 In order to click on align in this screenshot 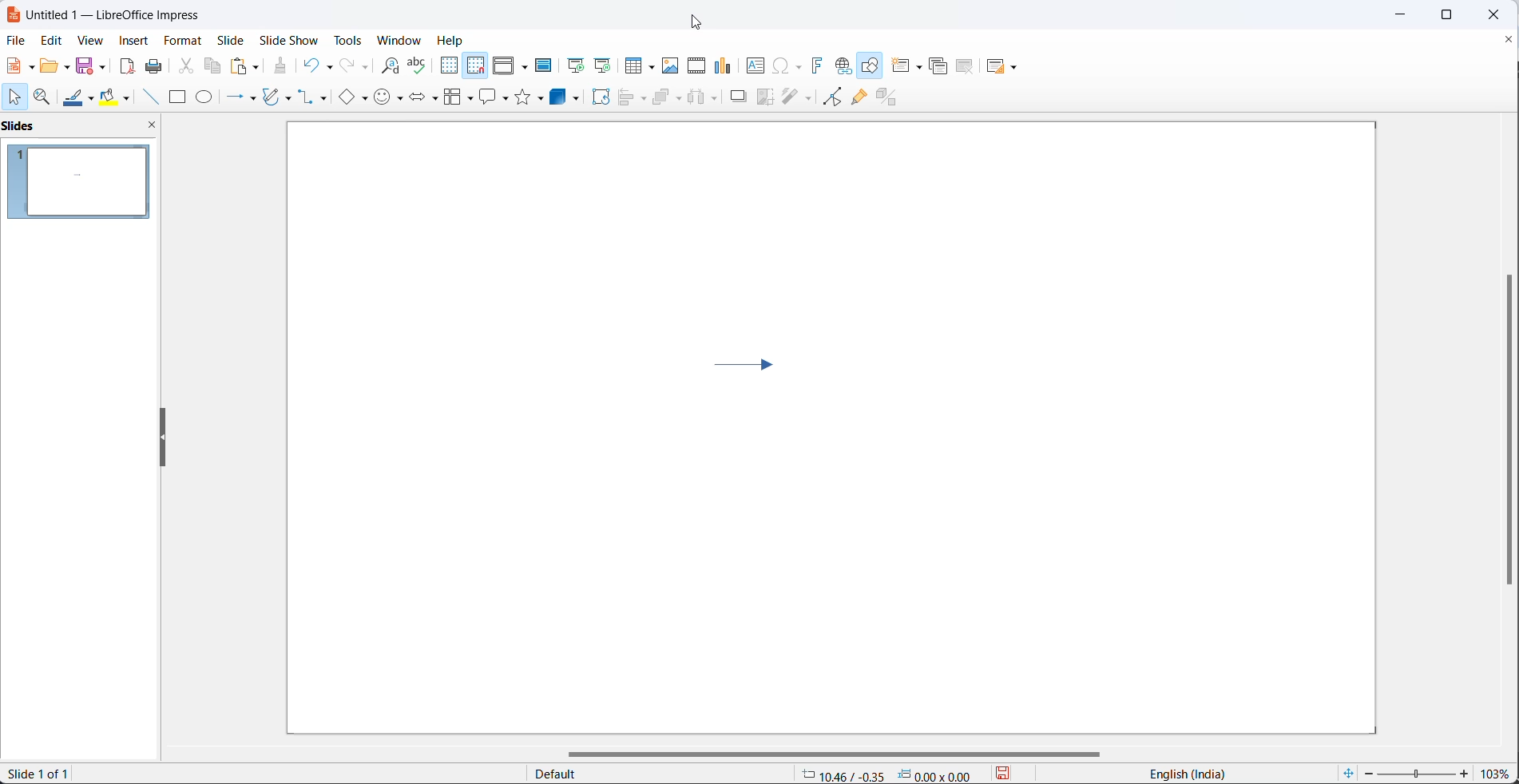, I will do `click(634, 98)`.